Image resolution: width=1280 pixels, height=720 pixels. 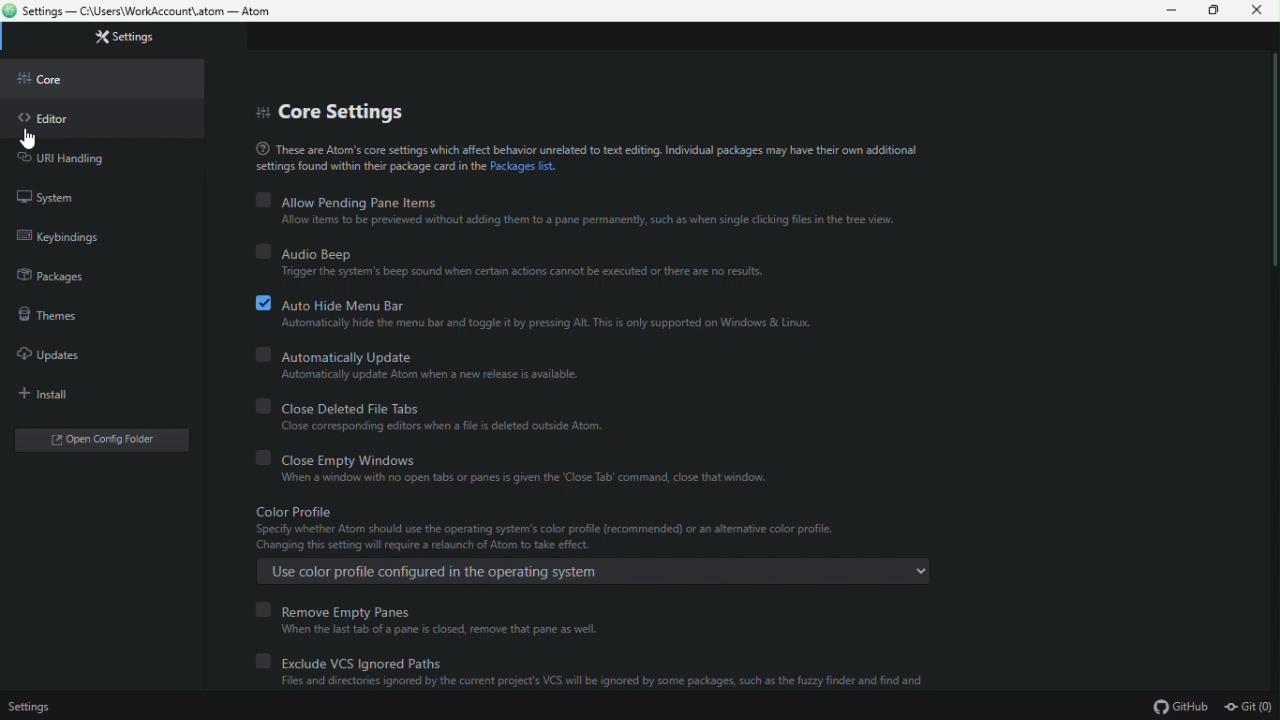 What do you see at coordinates (1174, 11) in the screenshot?
I see `Minimize` at bounding box center [1174, 11].